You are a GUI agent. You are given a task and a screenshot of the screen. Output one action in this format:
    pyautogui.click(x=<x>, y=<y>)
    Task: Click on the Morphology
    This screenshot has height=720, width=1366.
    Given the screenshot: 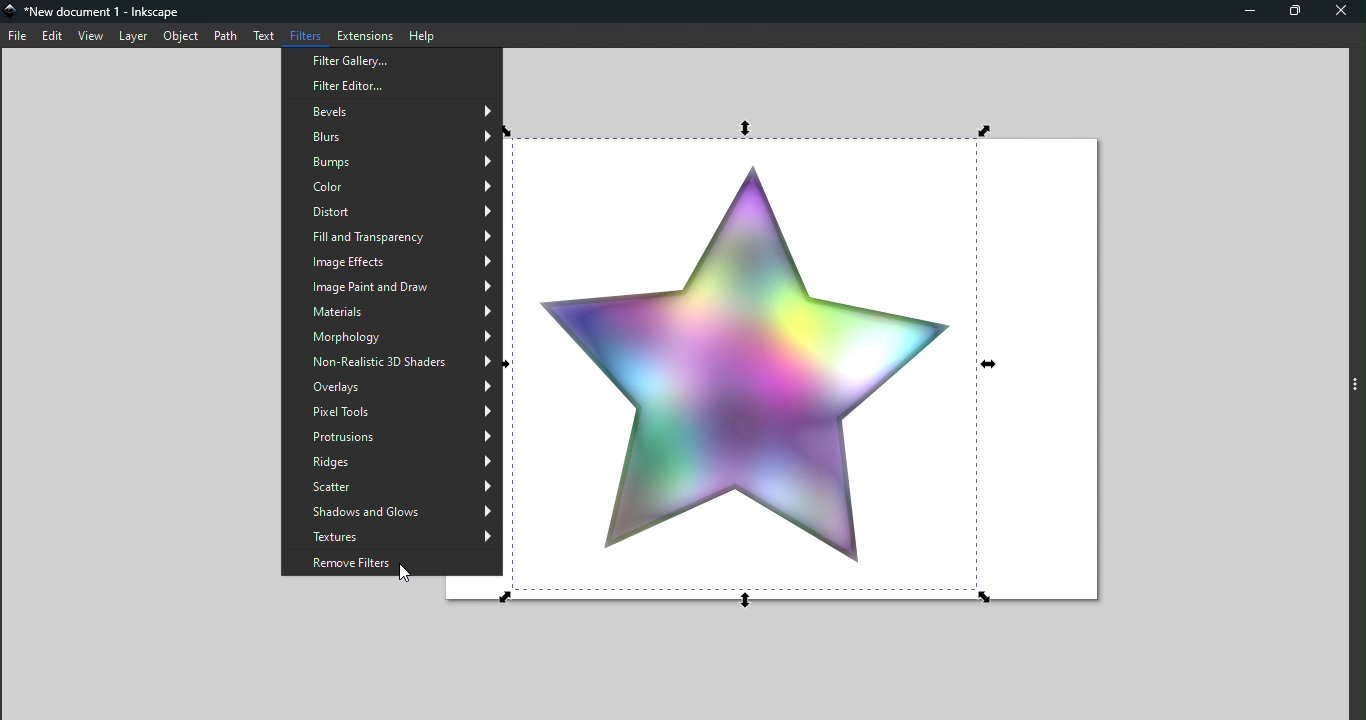 What is the action you would take?
    pyautogui.click(x=394, y=337)
    